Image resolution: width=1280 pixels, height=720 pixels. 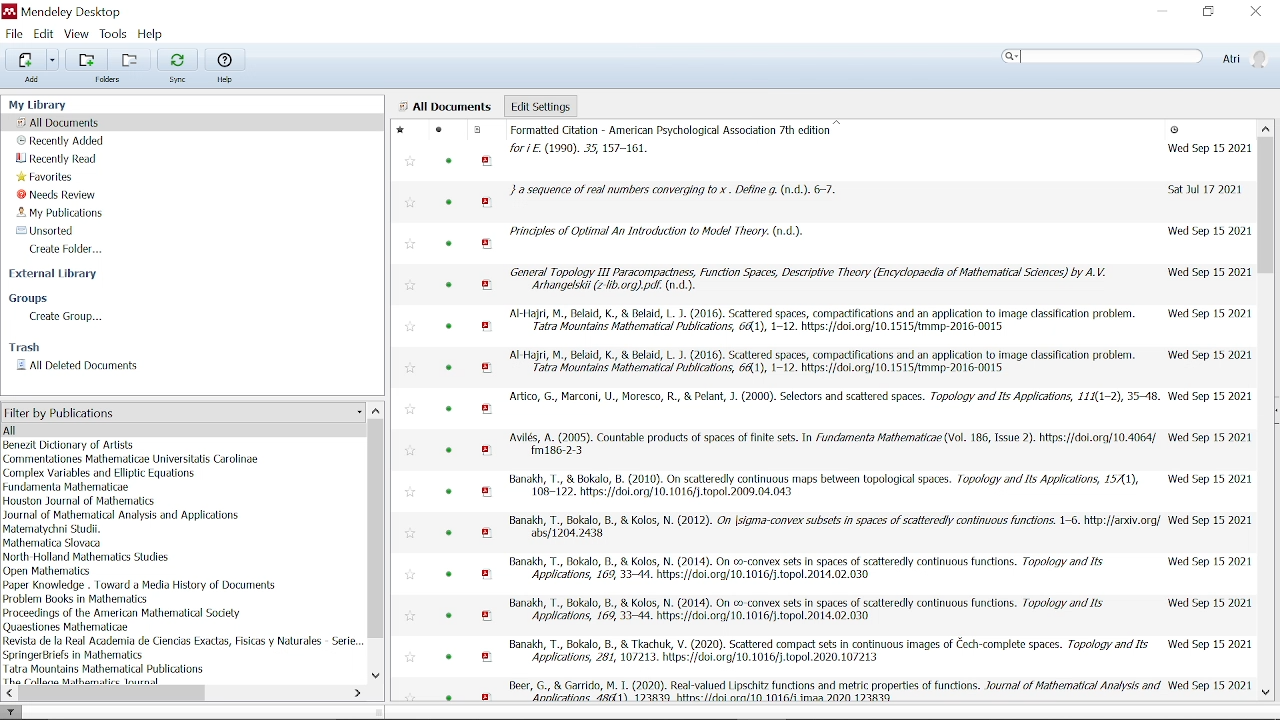 What do you see at coordinates (182, 413) in the screenshot?
I see `Filter by publication` at bounding box center [182, 413].